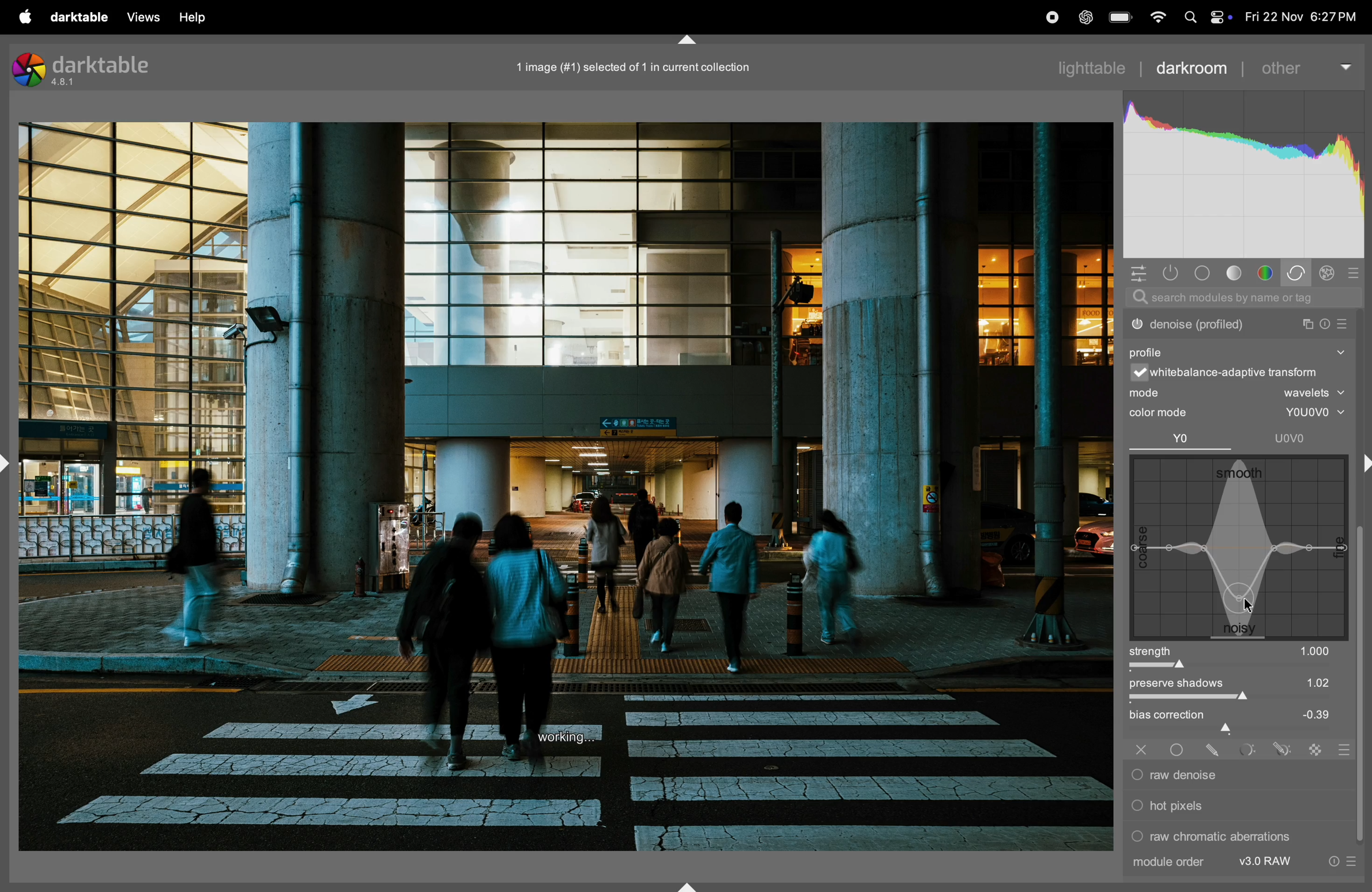 Image resolution: width=1372 pixels, height=892 pixels. What do you see at coordinates (1299, 273) in the screenshot?
I see `correct` at bounding box center [1299, 273].